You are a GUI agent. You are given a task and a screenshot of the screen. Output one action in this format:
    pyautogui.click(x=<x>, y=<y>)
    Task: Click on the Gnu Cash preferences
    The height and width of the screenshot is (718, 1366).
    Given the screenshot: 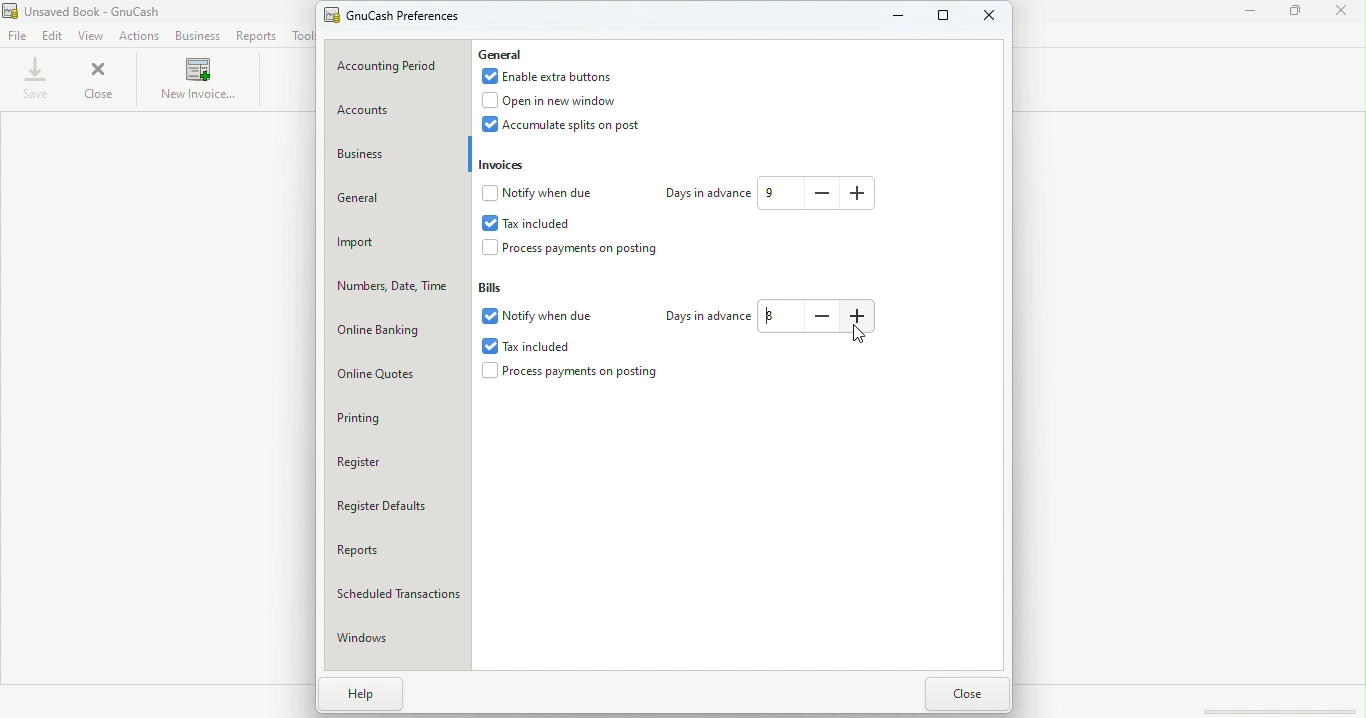 What is the action you would take?
    pyautogui.click(x=395, y=16)
    